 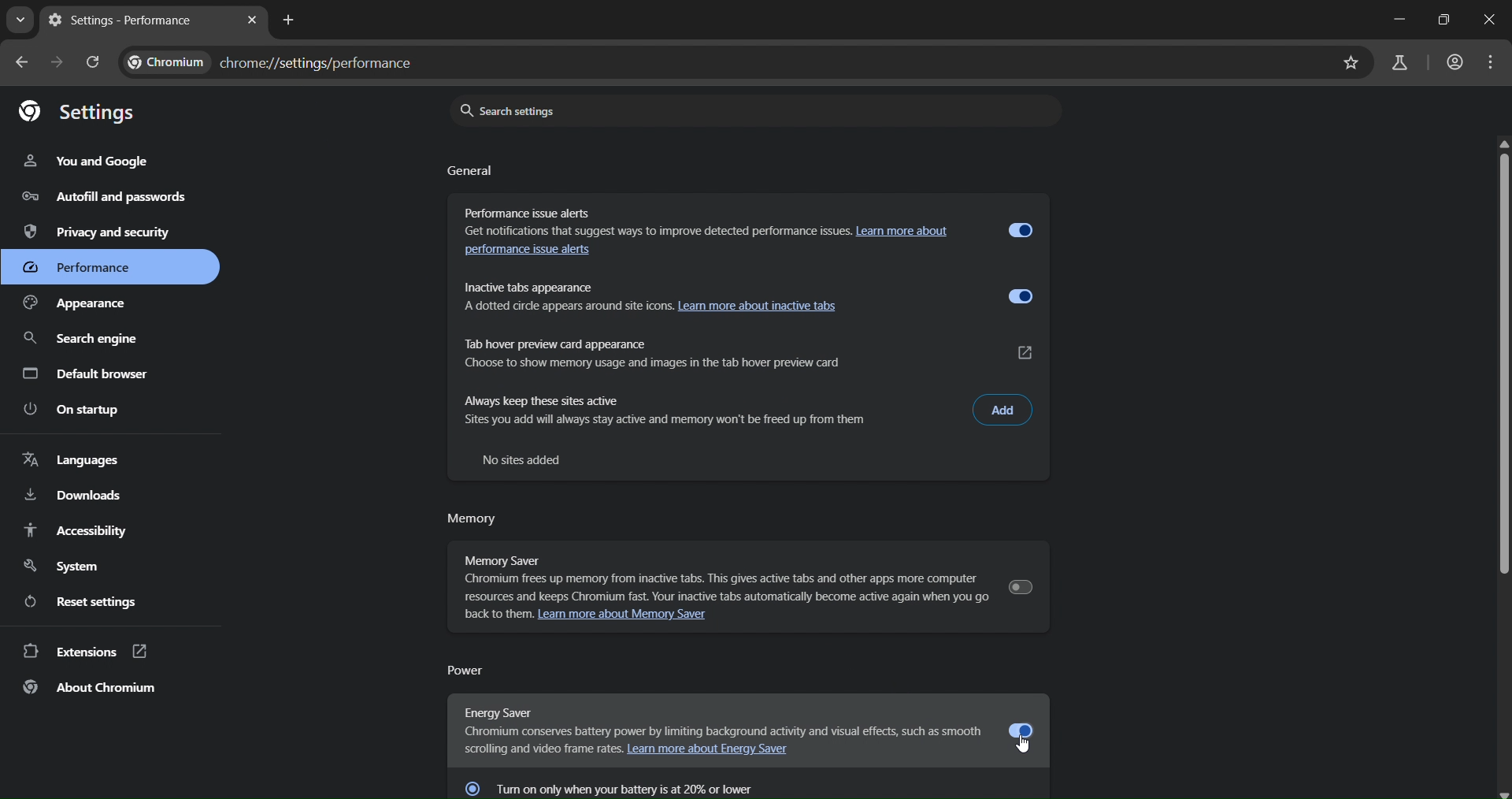 I want to click on go back one page, so click(x=22, y=64).